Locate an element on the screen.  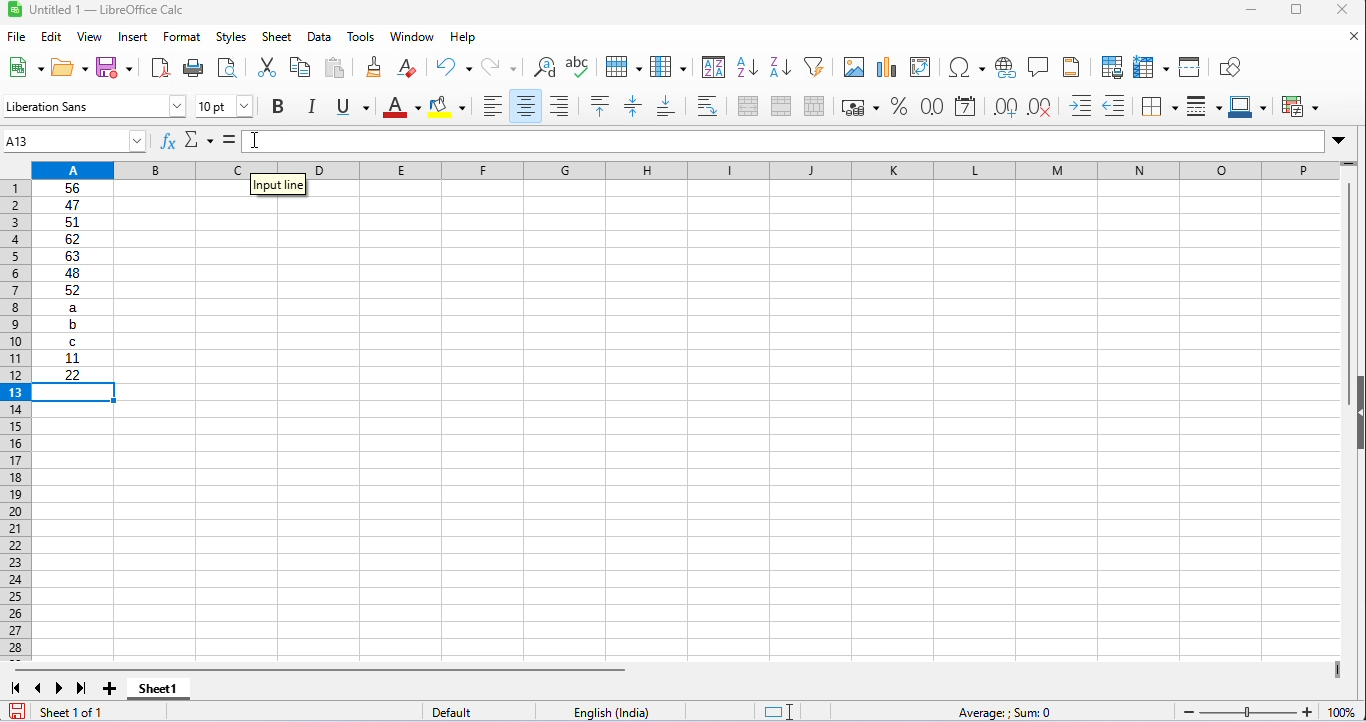
background color is located at coordinates (449, 106).